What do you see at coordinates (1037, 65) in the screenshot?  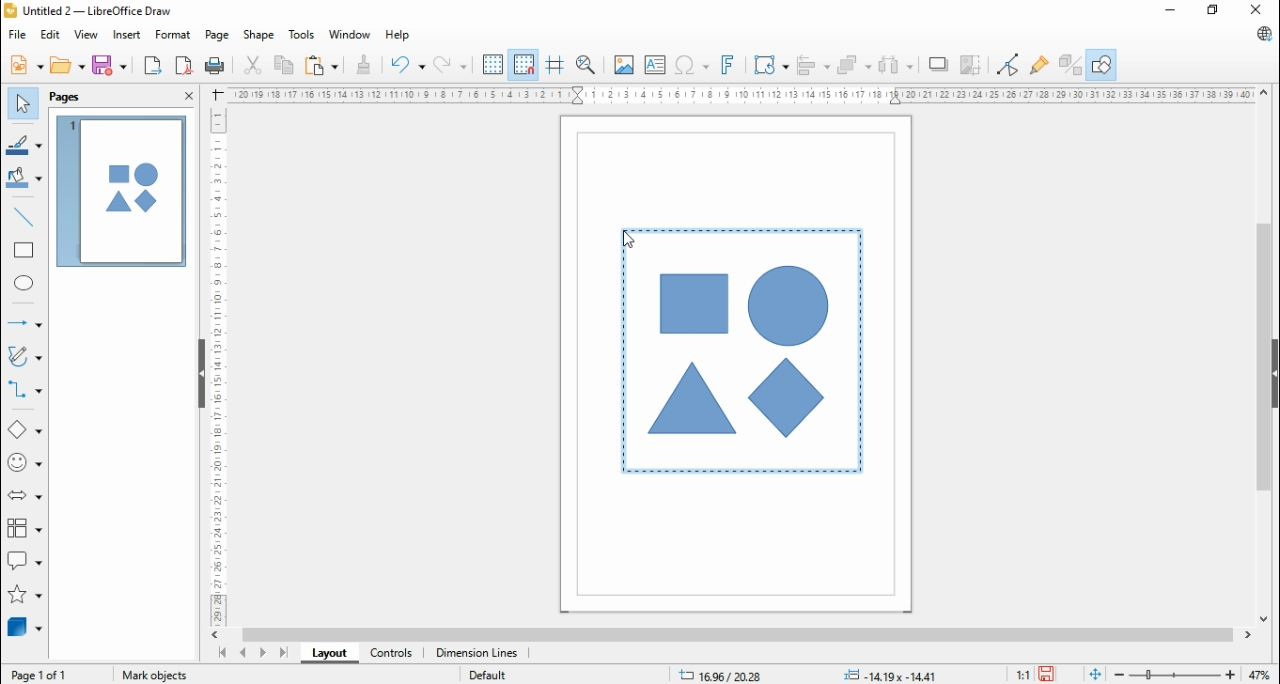 I see `show gluepoint function` at bounding box center [1037, 65].